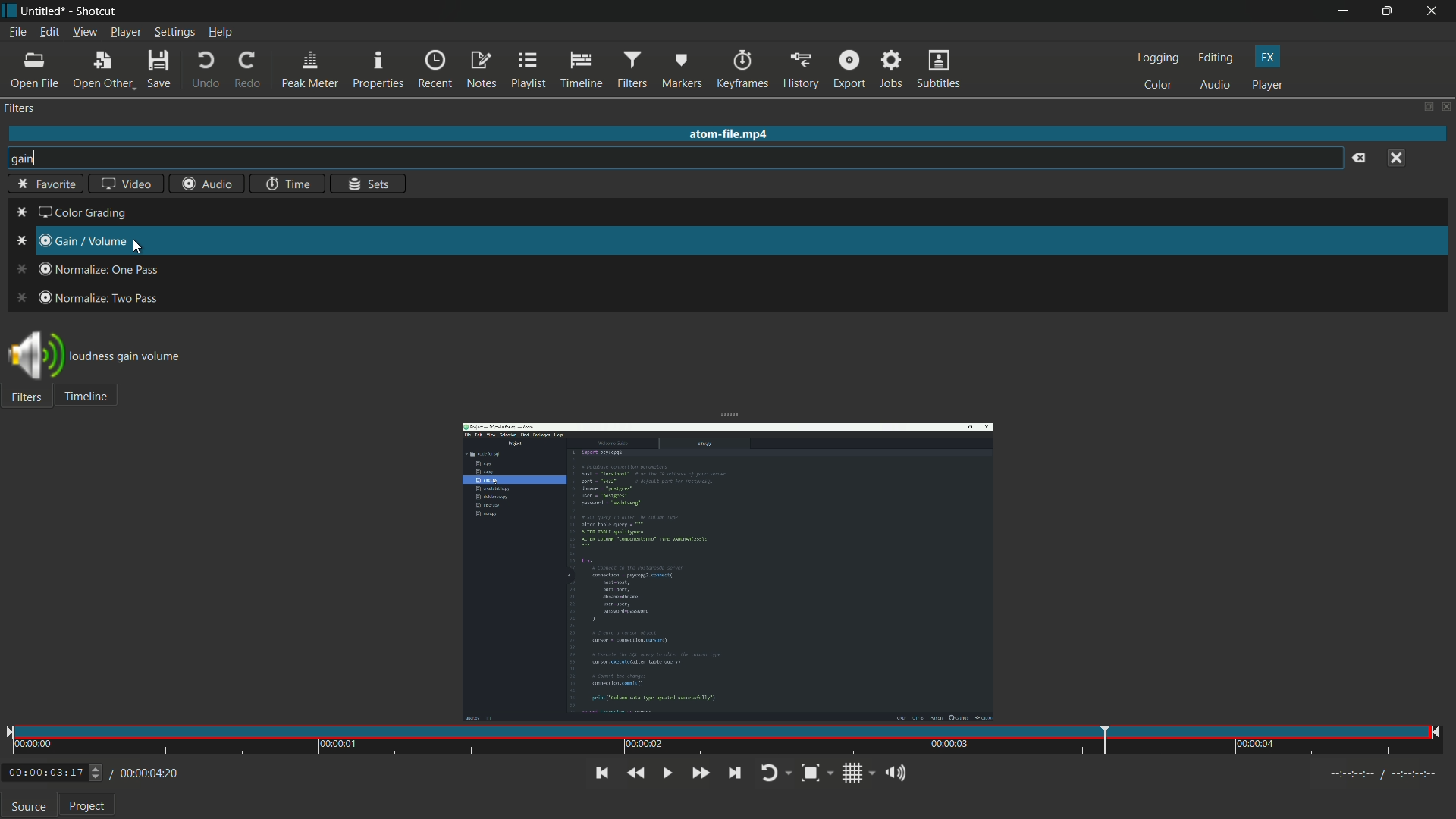 The width and height of the screenshot is (1456, 819). What do you see at coordinates (1435, 11) in the screenshot?
I see `close app` at bounding box center [1435, 11].